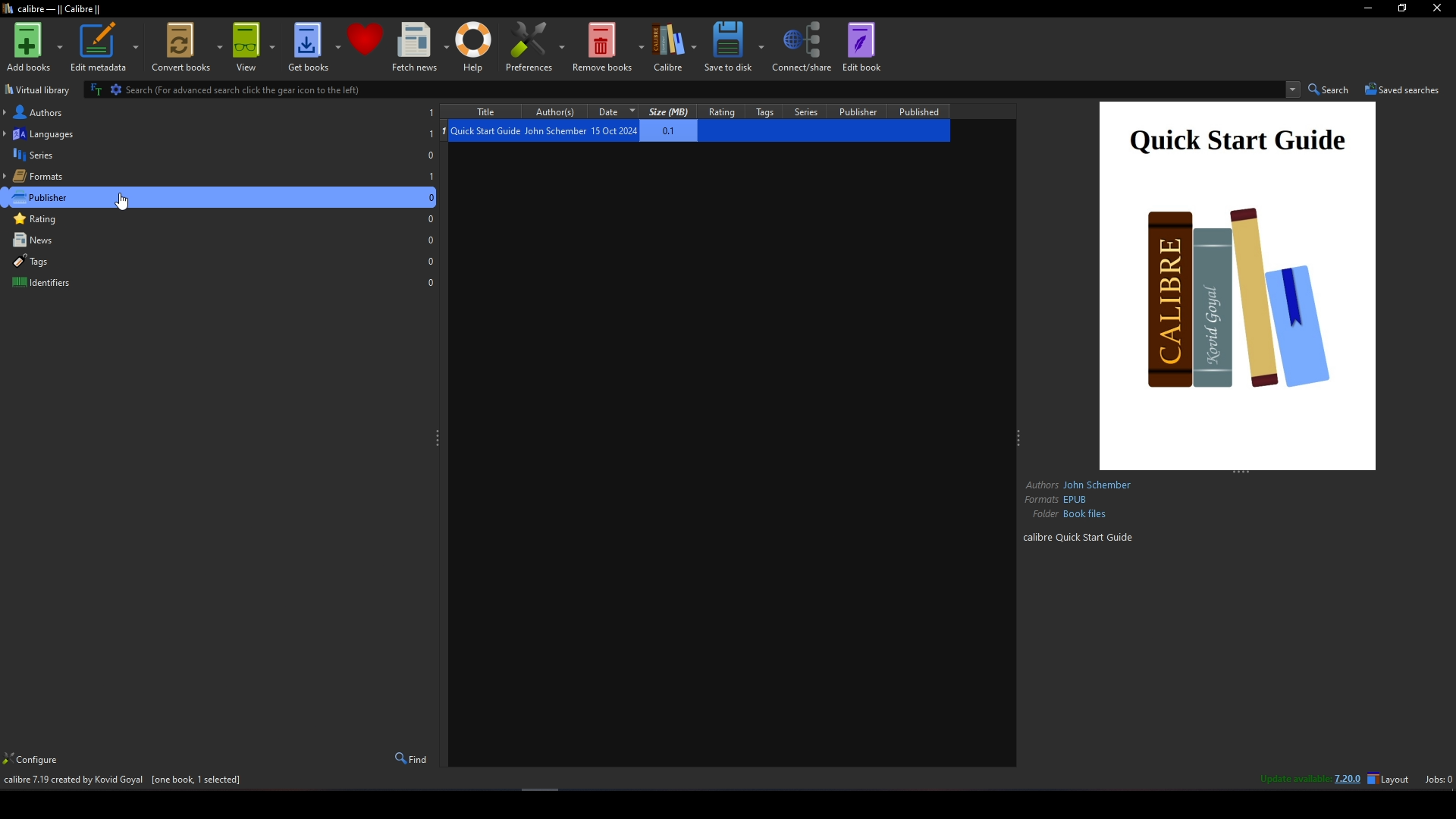 Image resolution: width=1456 pixels, height=819 pixels. Describe the element at coordinates (1403, 8) in the screenshot. I see `Restore down` at that location.